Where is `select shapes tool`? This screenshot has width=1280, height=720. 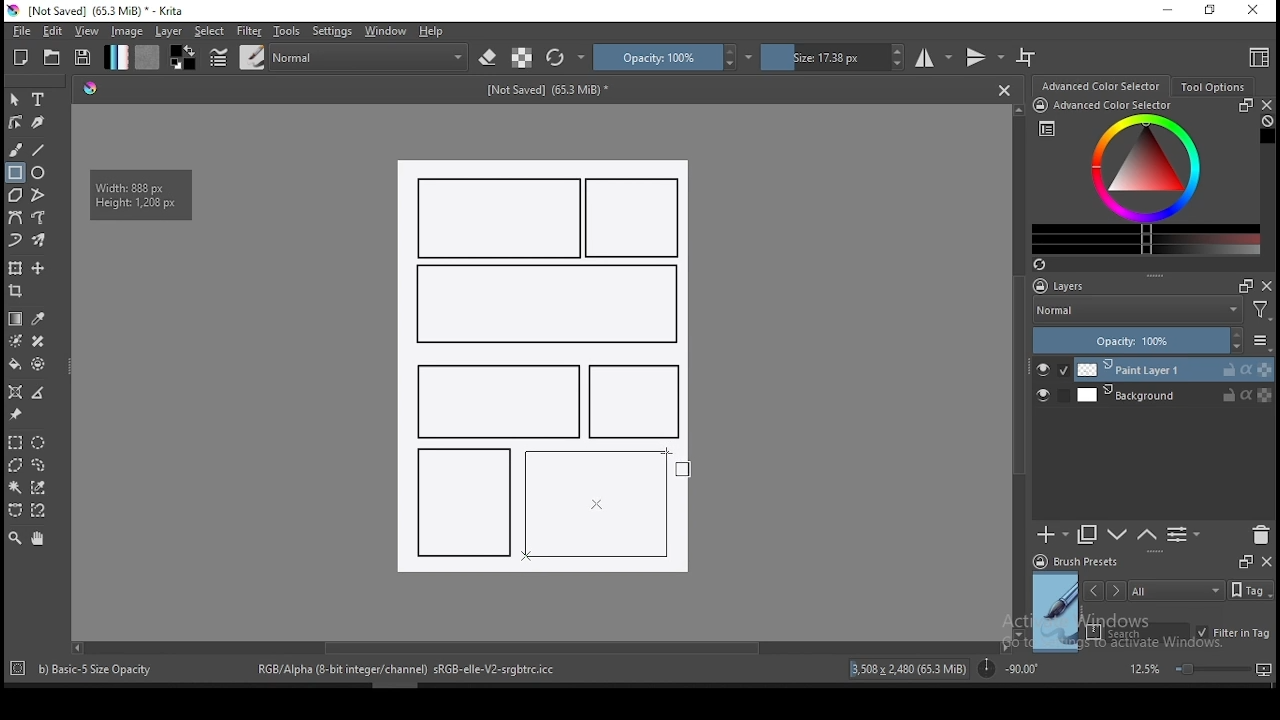 select shapes tool is located at coordinates (15, 99).